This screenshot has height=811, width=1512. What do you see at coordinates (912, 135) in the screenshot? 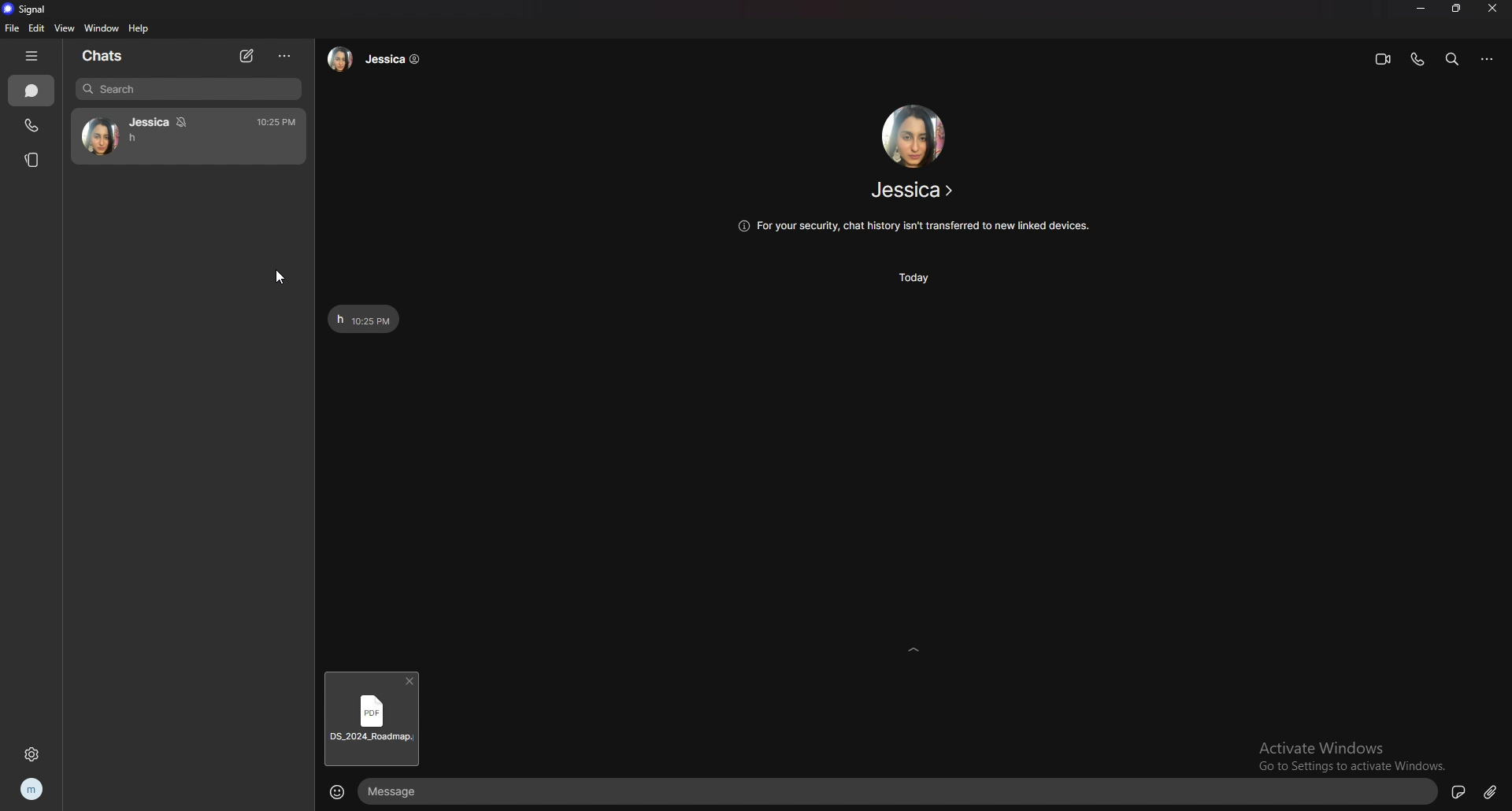
I see `contact photo` at bounding box center [912, 135].